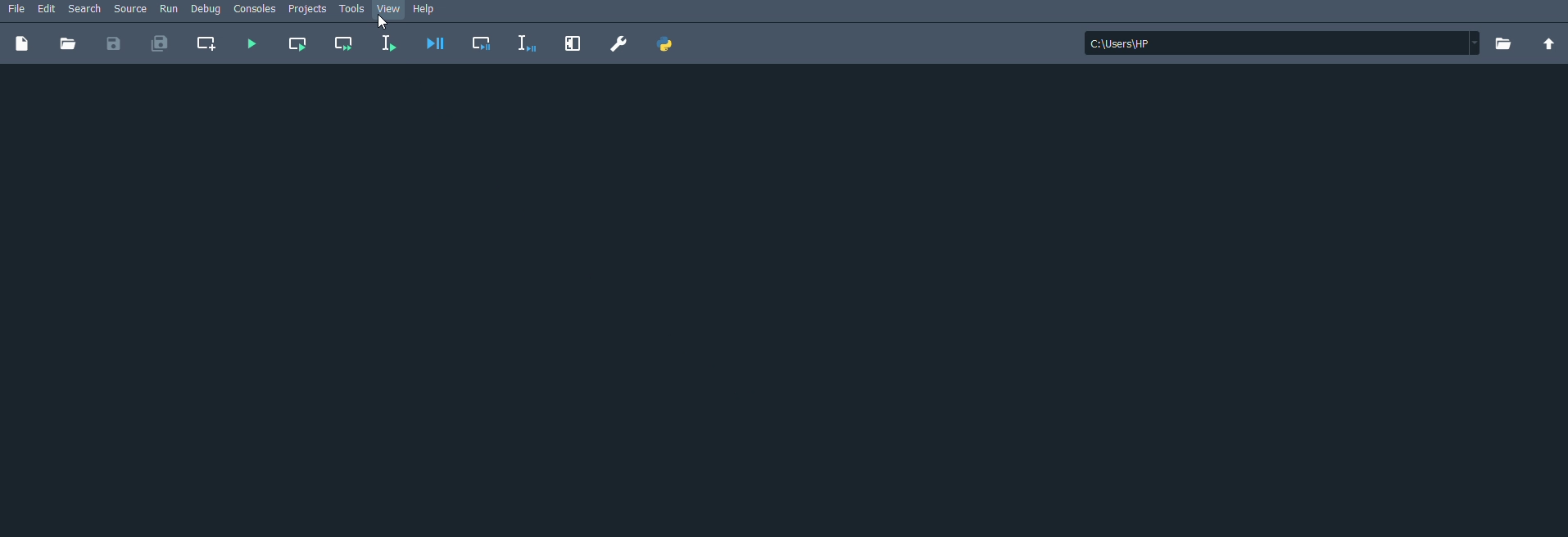 The image size is (1568, 537). I want to click on View, so click(390, 10).